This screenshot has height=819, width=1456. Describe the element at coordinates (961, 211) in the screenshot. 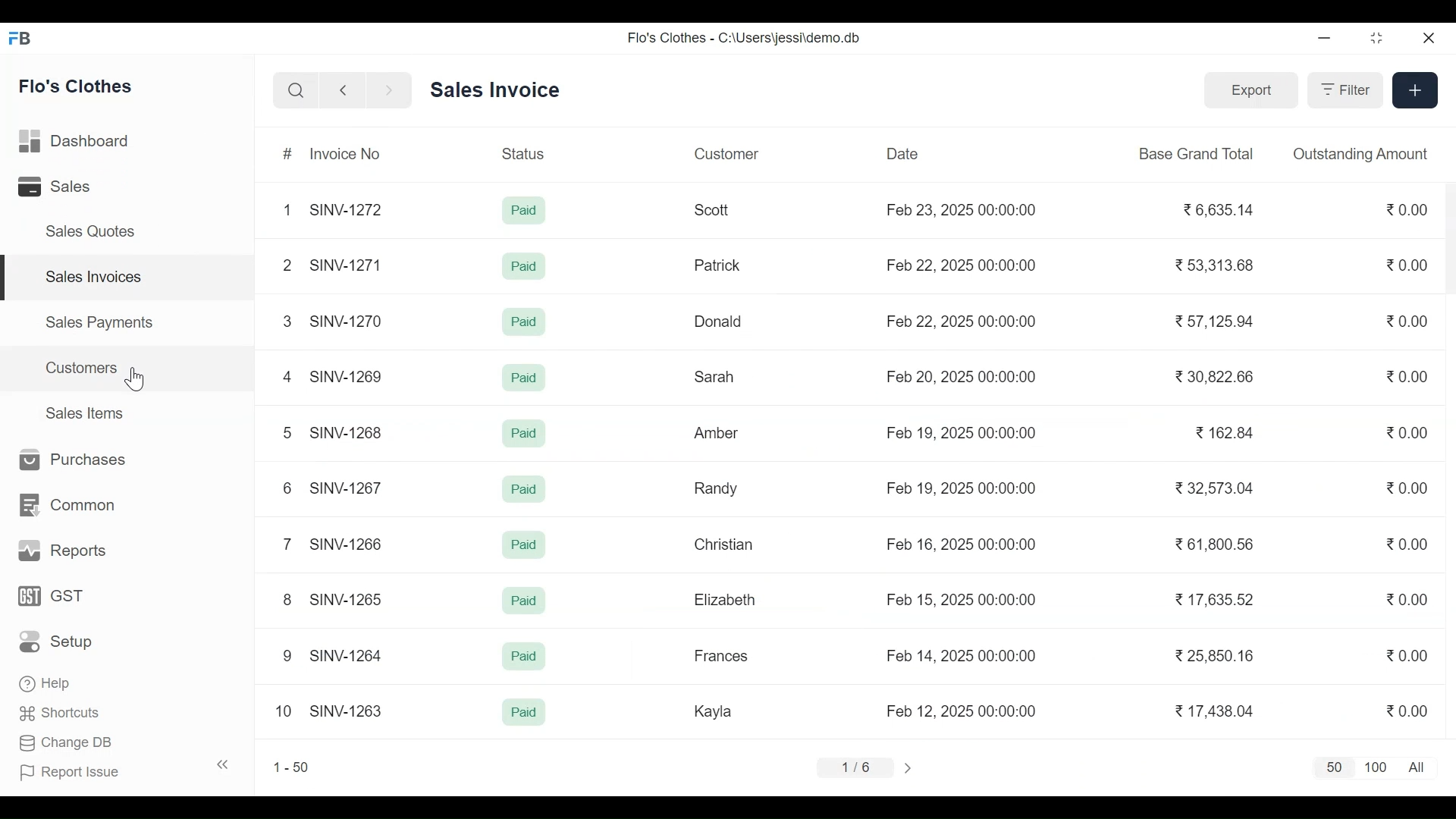

I see `Feb 23, 2025 00:00:00` at that location.